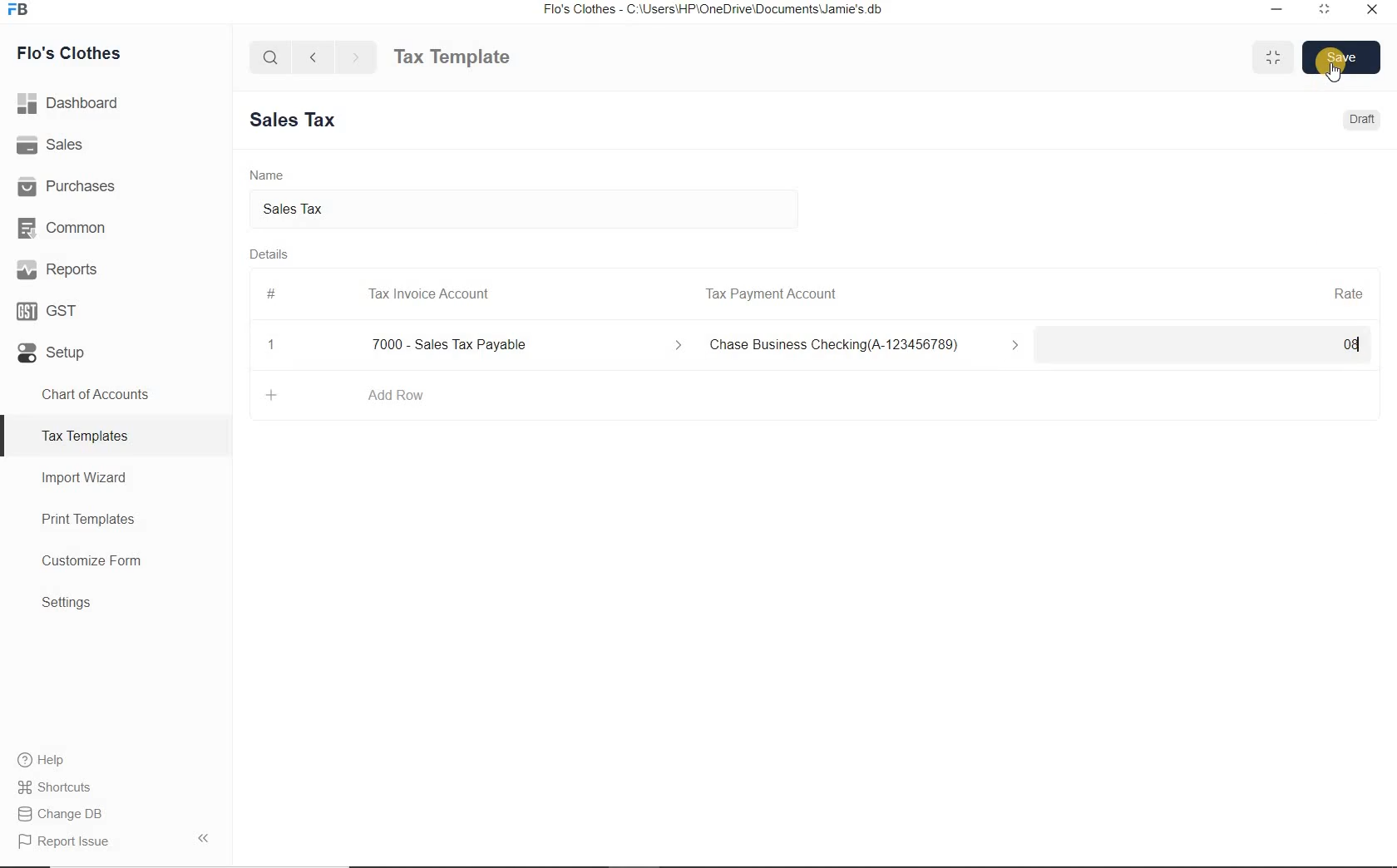 The image size is (1397, 868). I want to click on Rate, so click(1348, 292).